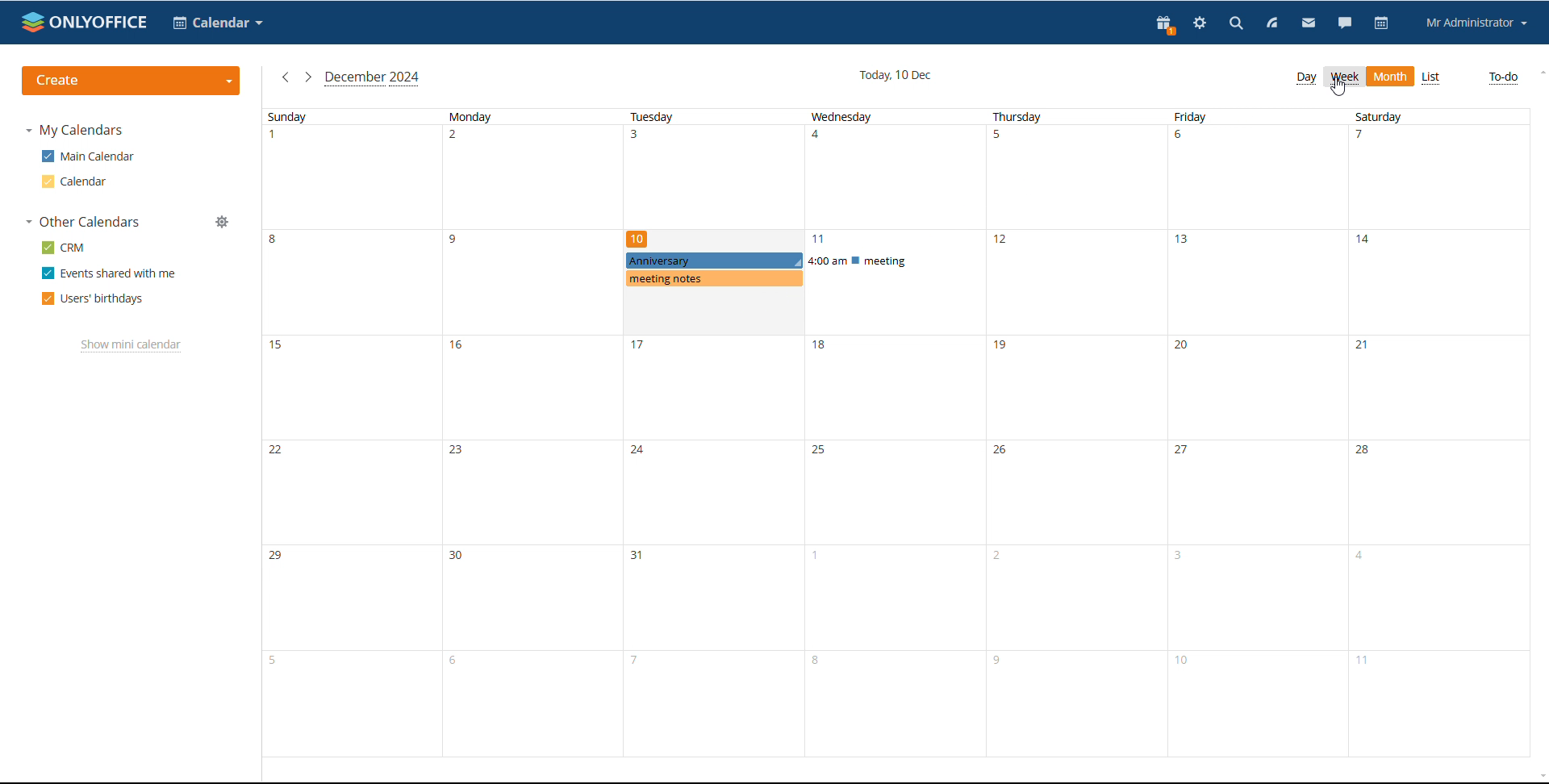  Describe the element at coordinates (1345, 23) in the screenshot. I see `talk` at that location.